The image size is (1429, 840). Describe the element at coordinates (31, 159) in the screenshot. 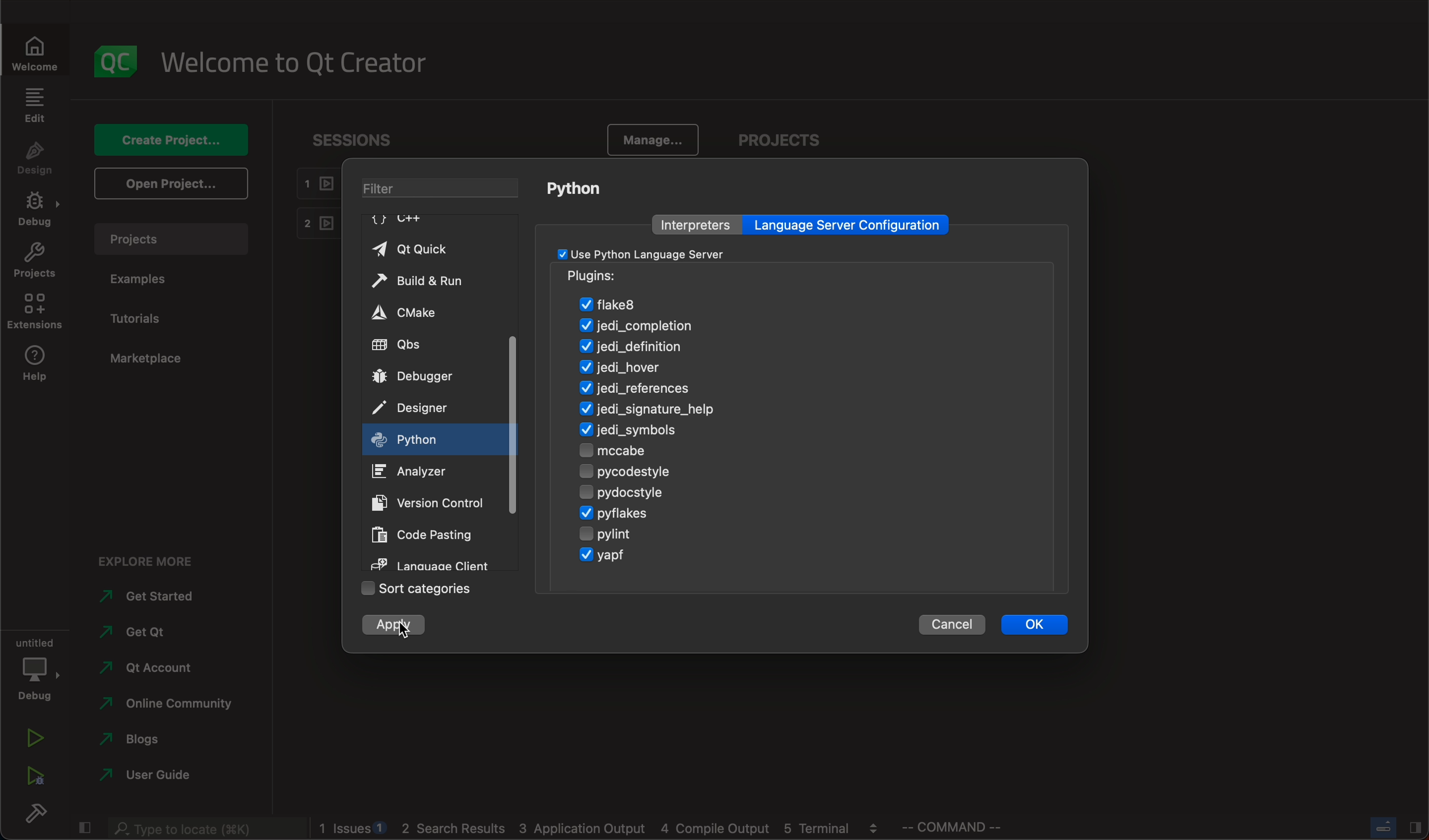

I see `design` at that location.